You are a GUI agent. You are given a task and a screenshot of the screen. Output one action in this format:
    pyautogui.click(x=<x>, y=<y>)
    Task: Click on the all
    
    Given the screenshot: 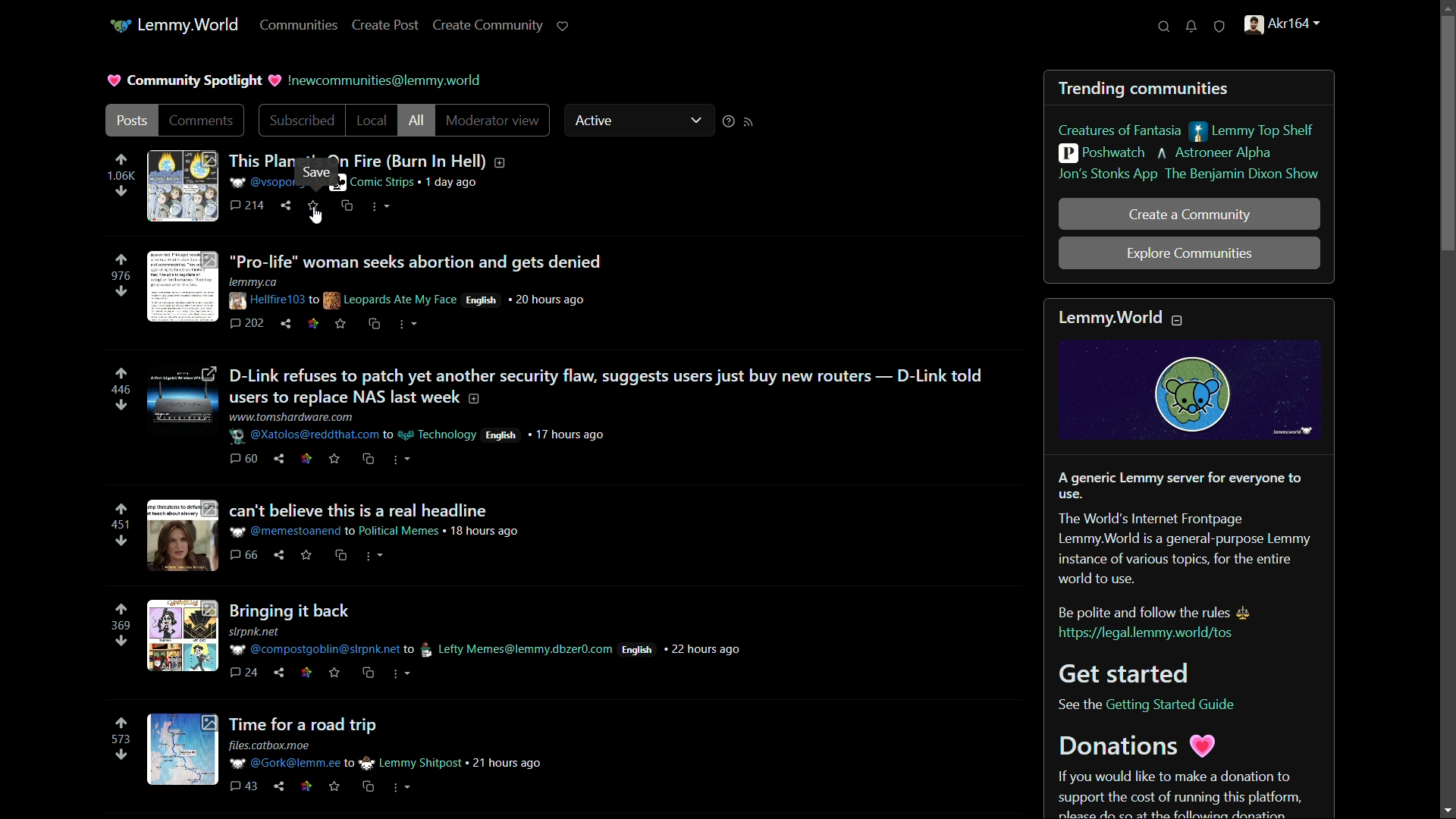 What is the action you would take?
    pyautogui.click(x=417, y=121)
    